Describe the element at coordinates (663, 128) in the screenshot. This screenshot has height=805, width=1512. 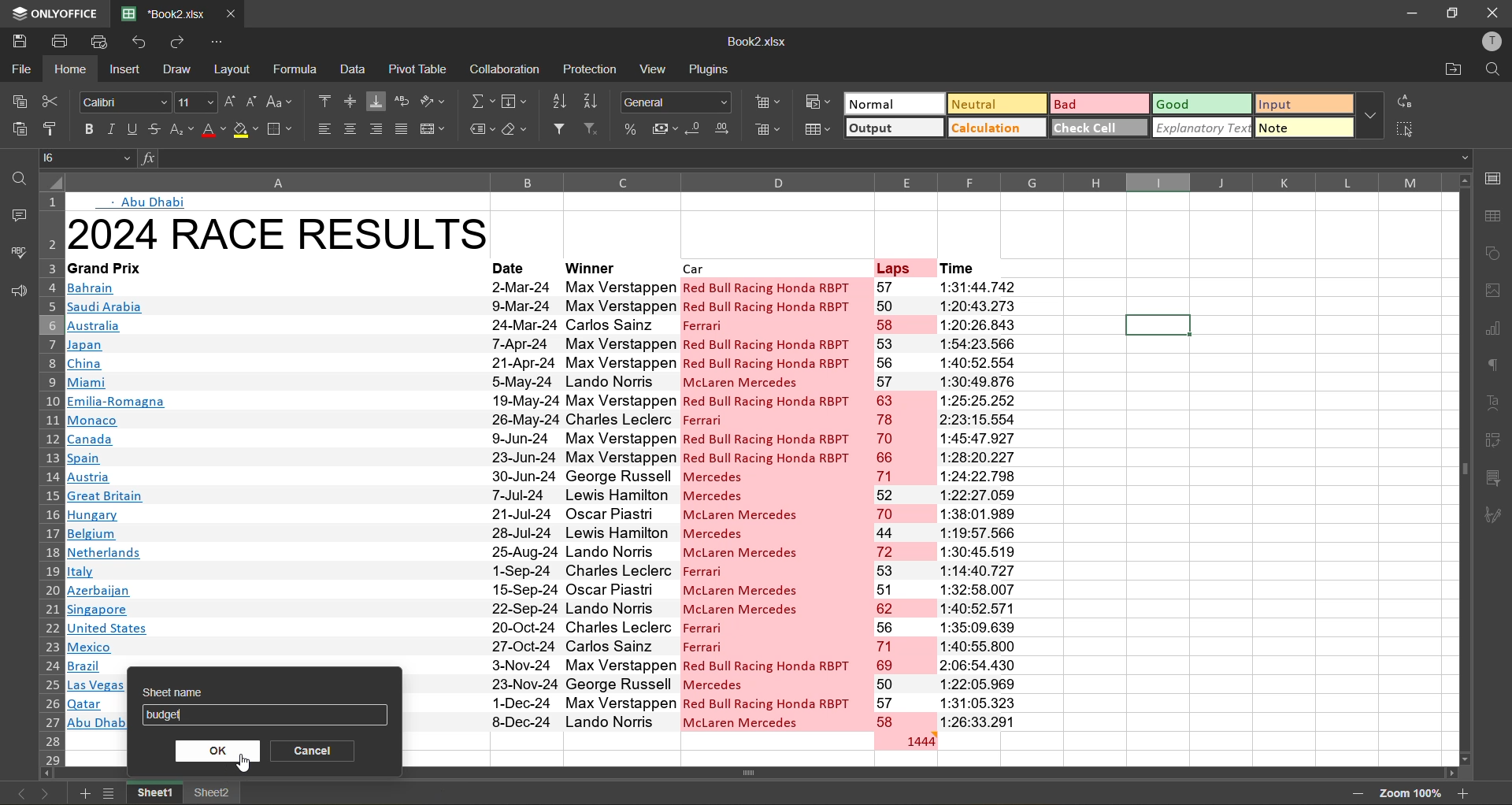
I see `accounting` at that location.